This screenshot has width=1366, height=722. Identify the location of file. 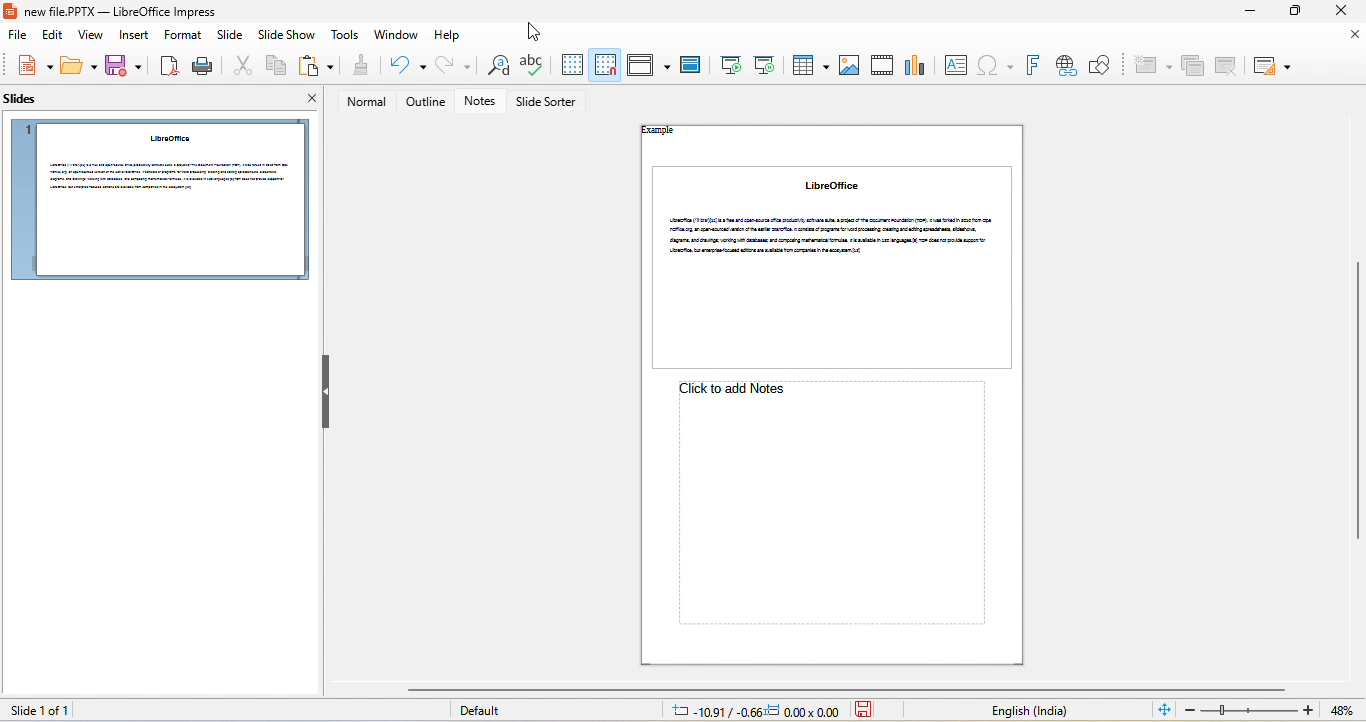
(14, 36).